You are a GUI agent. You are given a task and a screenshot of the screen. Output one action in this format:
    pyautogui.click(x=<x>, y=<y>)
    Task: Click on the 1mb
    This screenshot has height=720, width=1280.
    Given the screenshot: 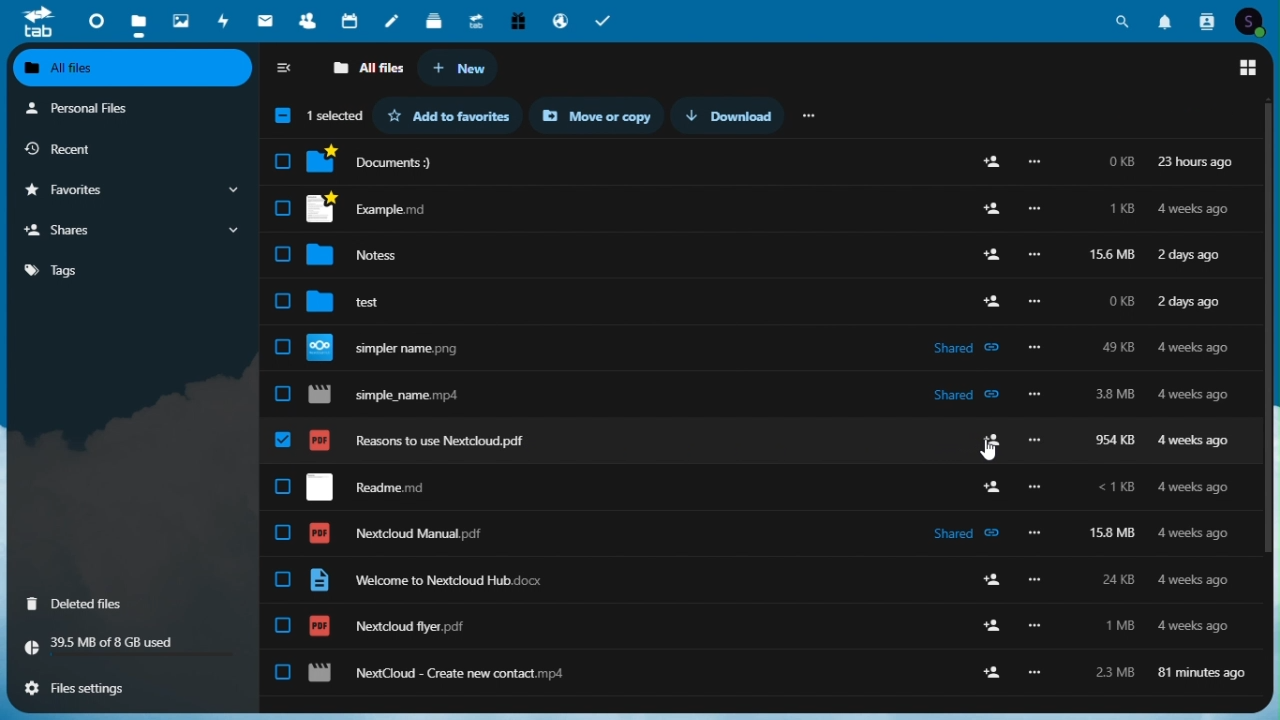 What is the action you would take?
    pyautogui.click(x=1122, y=625)
    